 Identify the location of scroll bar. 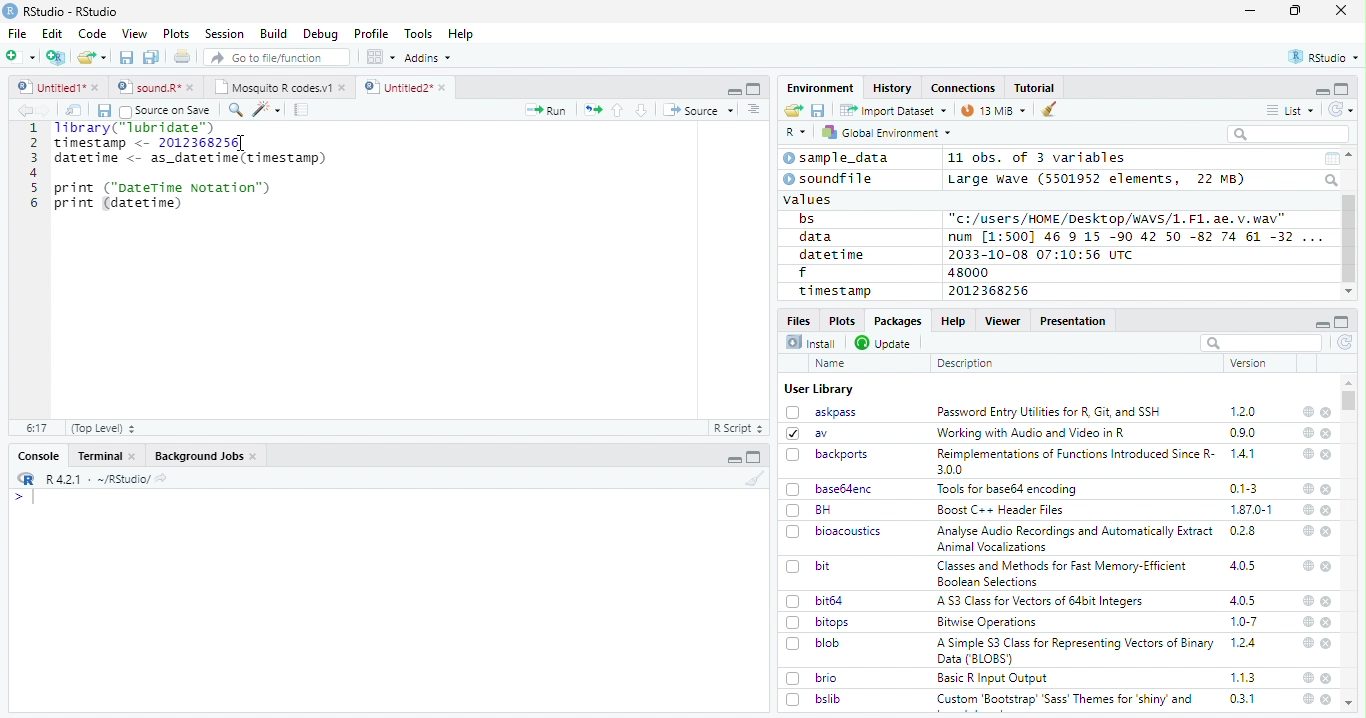
(1350, 400).